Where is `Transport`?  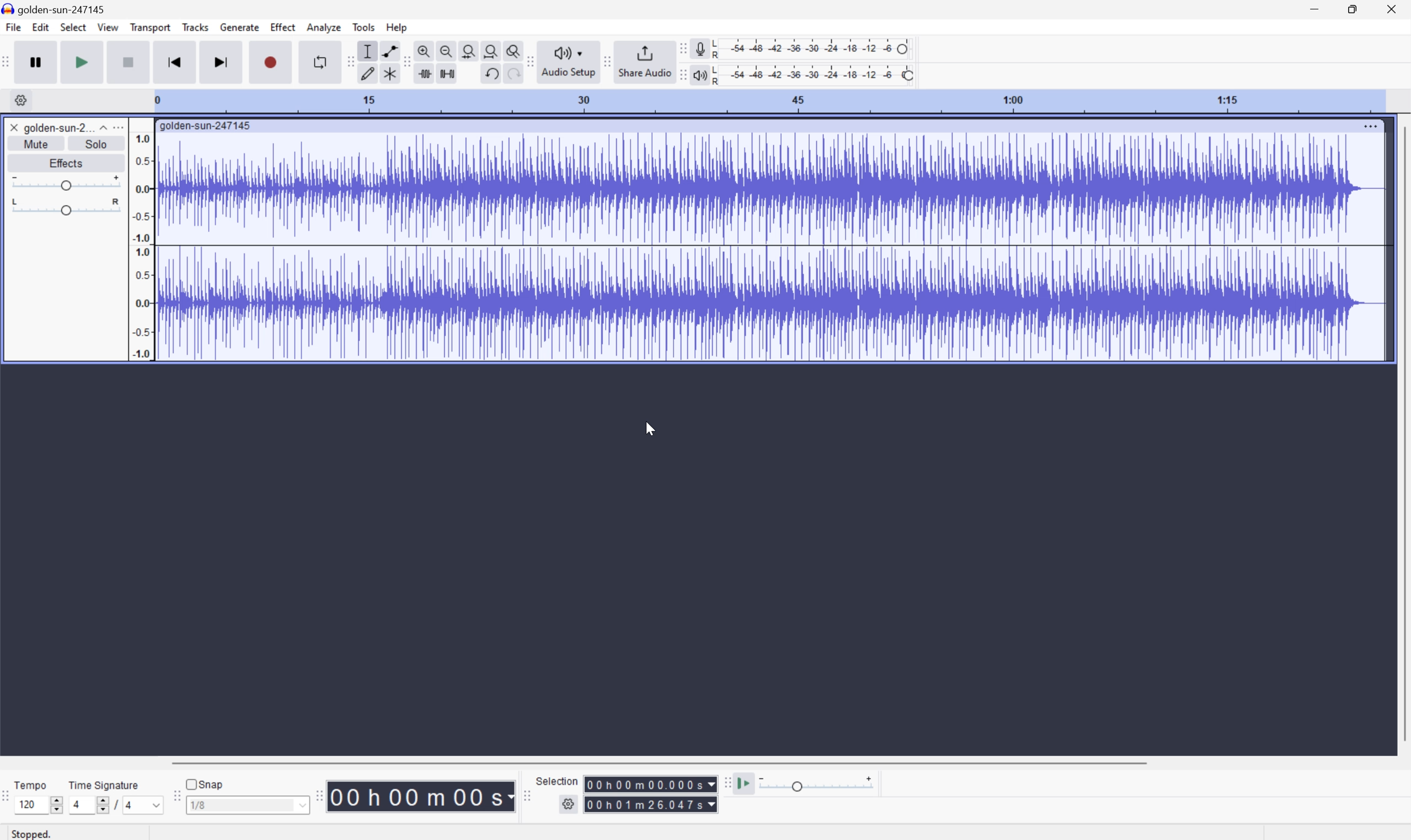 Transport is located at coordinates (151, 28).